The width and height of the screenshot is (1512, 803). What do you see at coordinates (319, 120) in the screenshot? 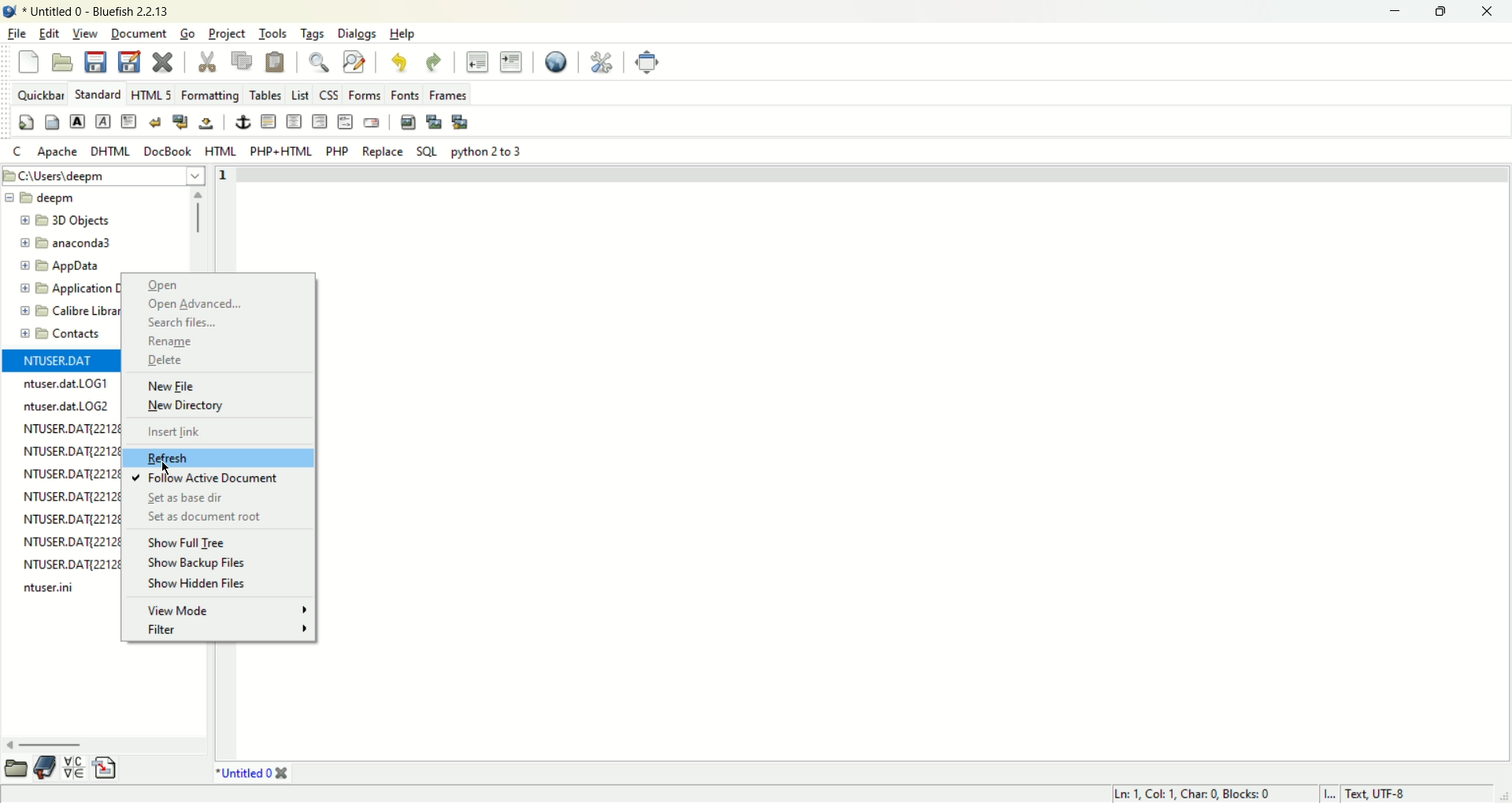
I see `right justify` at bounding box center [319, 120].